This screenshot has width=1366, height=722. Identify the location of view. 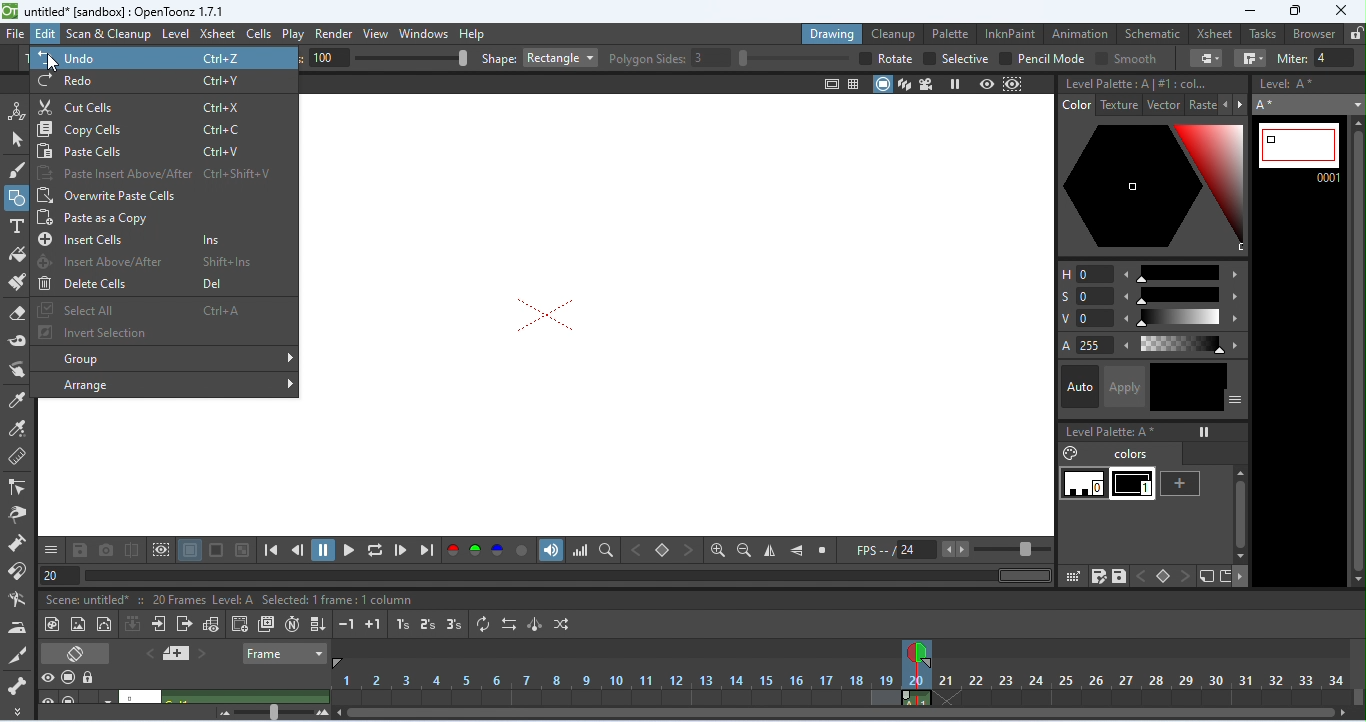
(375, 34).